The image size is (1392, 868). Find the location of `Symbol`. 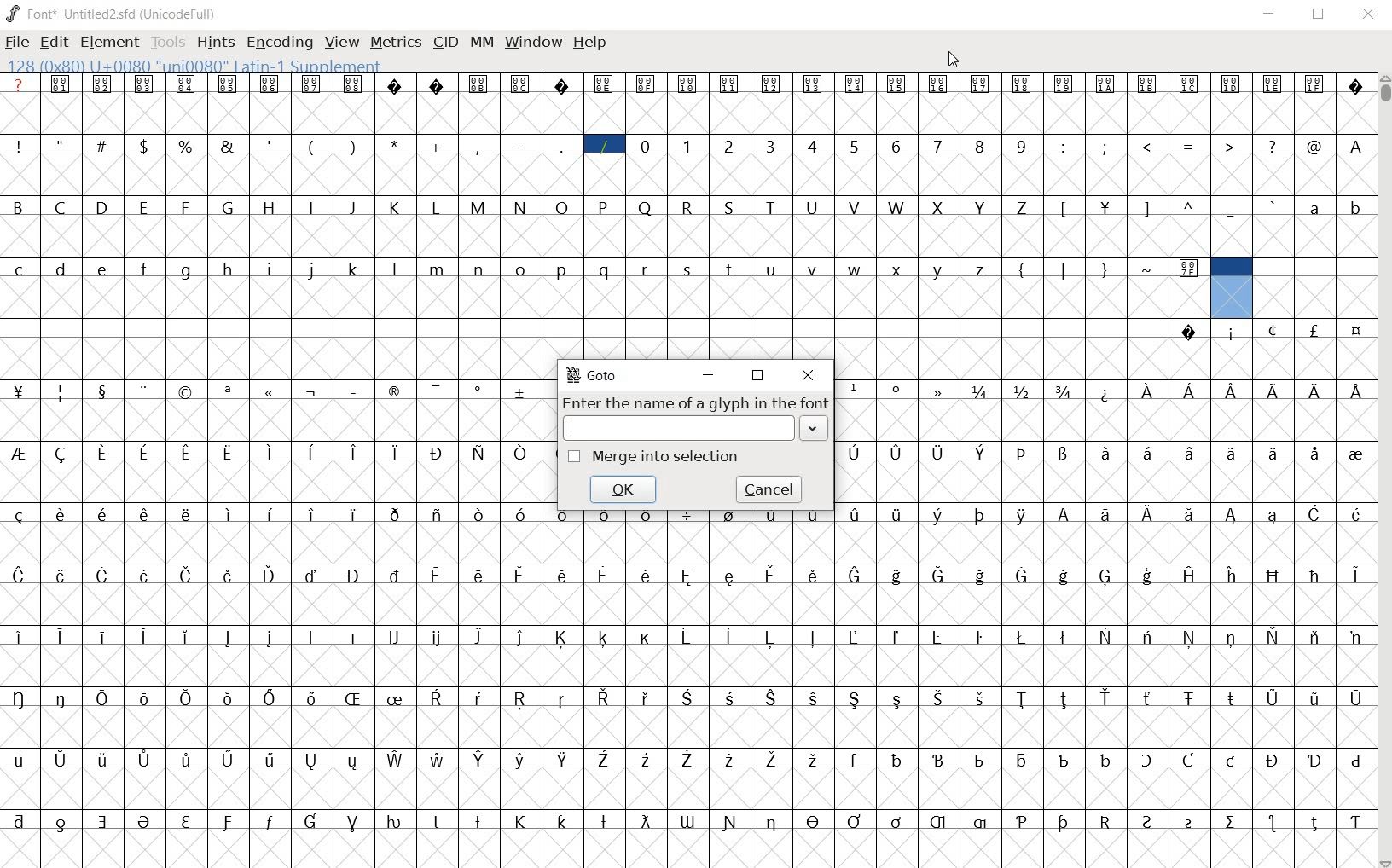

Symbol is located at coordinates (897, 453).